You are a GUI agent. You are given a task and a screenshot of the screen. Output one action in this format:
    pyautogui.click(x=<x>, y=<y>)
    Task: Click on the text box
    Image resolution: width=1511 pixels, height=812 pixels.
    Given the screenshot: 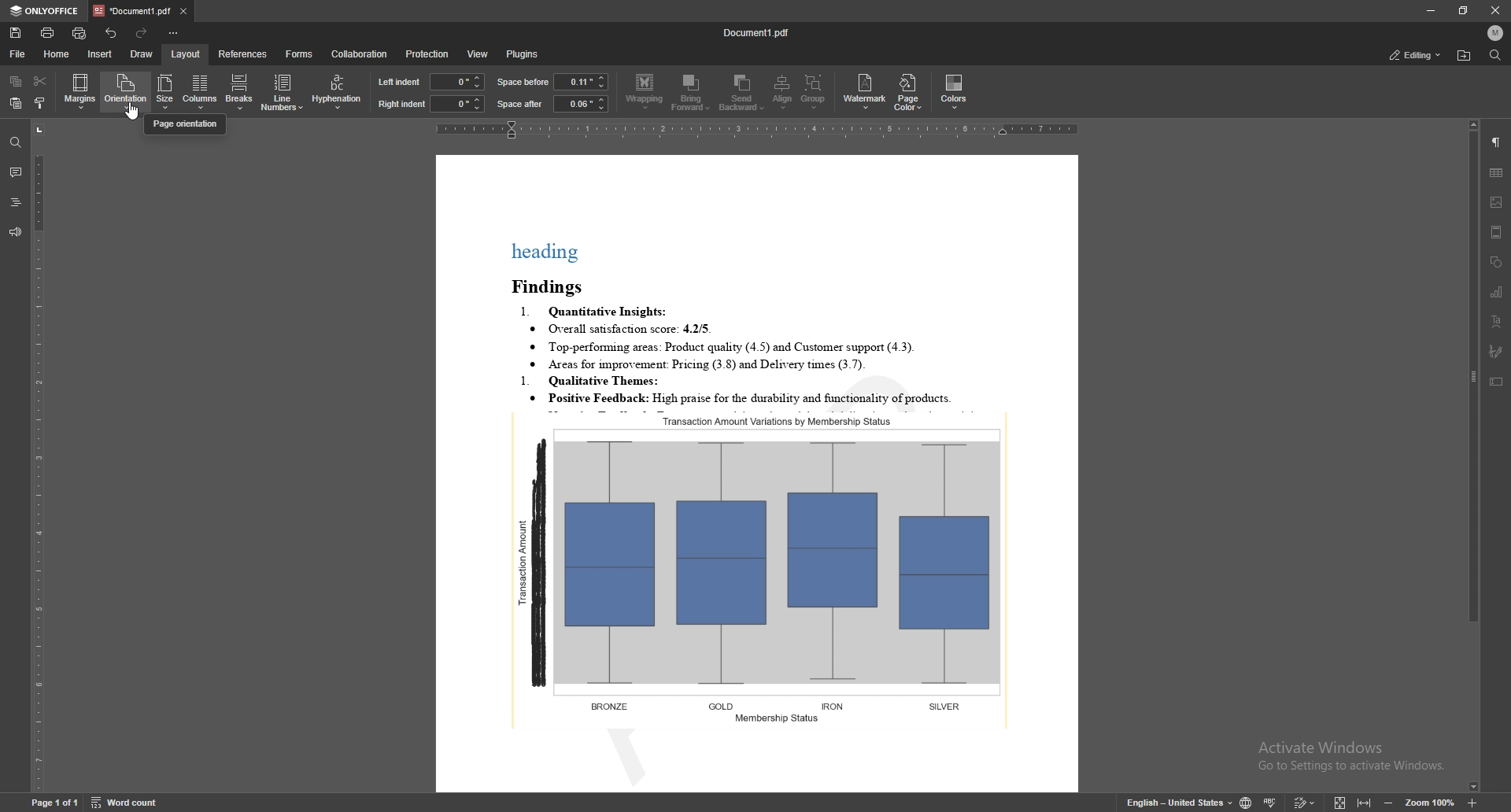 What is the action you would take?
    pyautogui.click(x=1496, y=381)
    